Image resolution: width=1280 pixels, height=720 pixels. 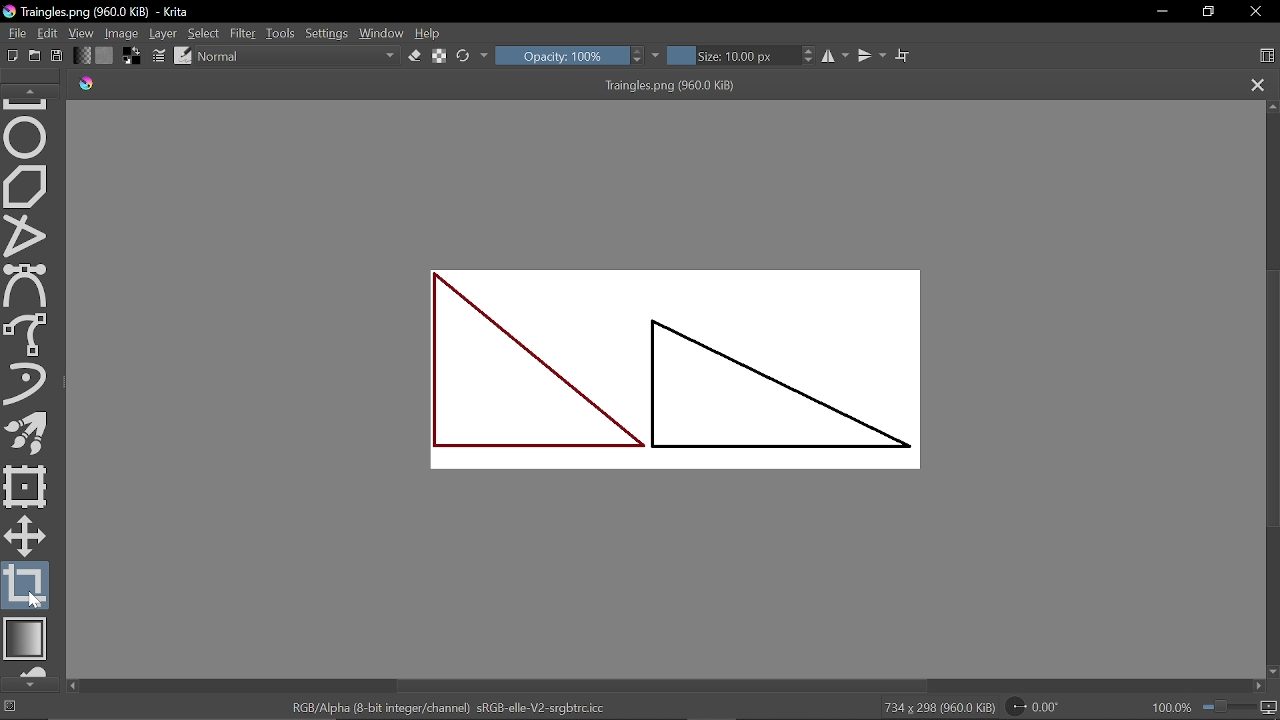 What do you see at coordinates (1039, 707) in the screenshot?
I see `Rotation` at bounding box center [1039, 707].